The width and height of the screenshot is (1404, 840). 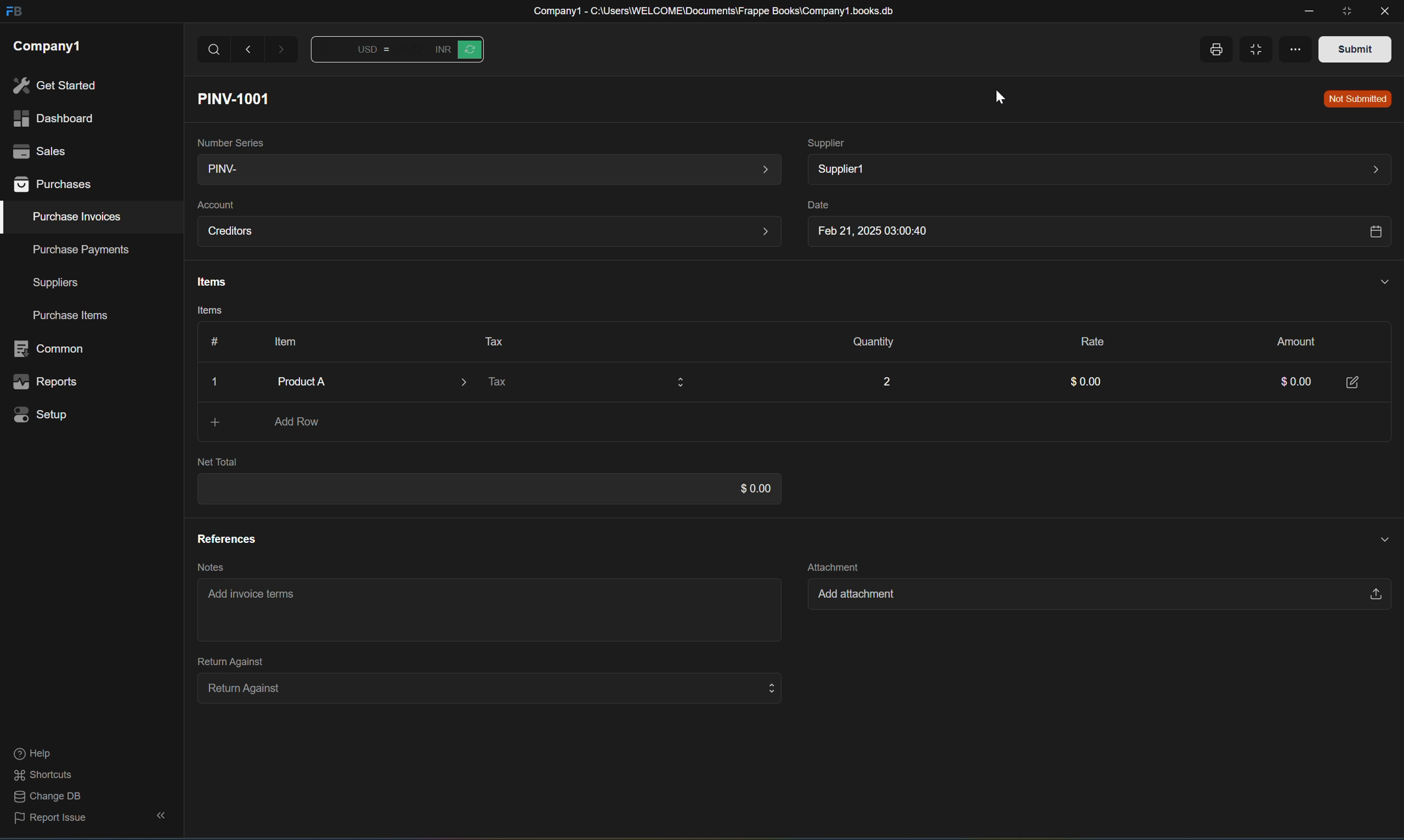 I want to click on Item, so click(x=280, y=341).